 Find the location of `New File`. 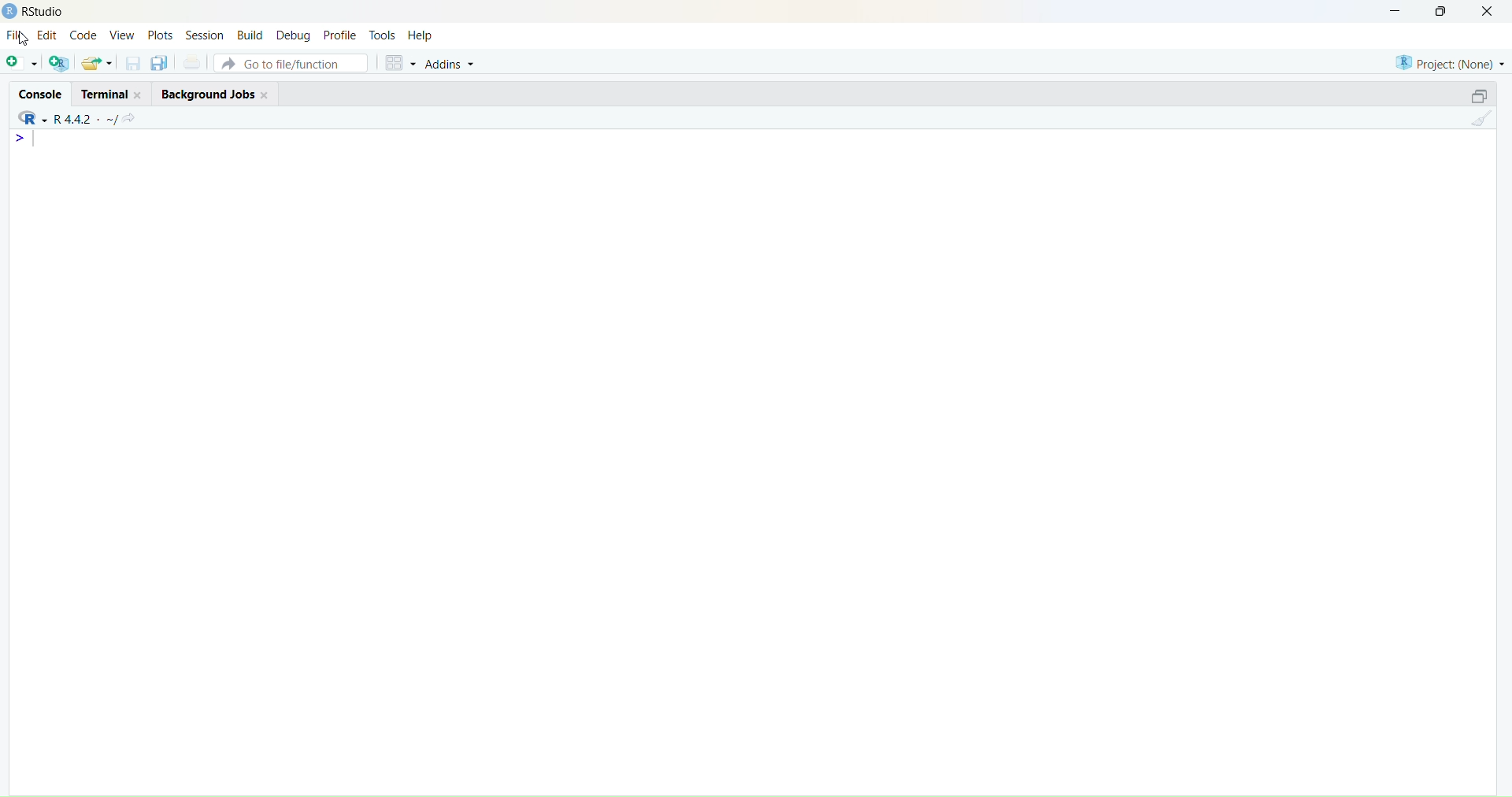

New File is located at coordinates (20, 65).